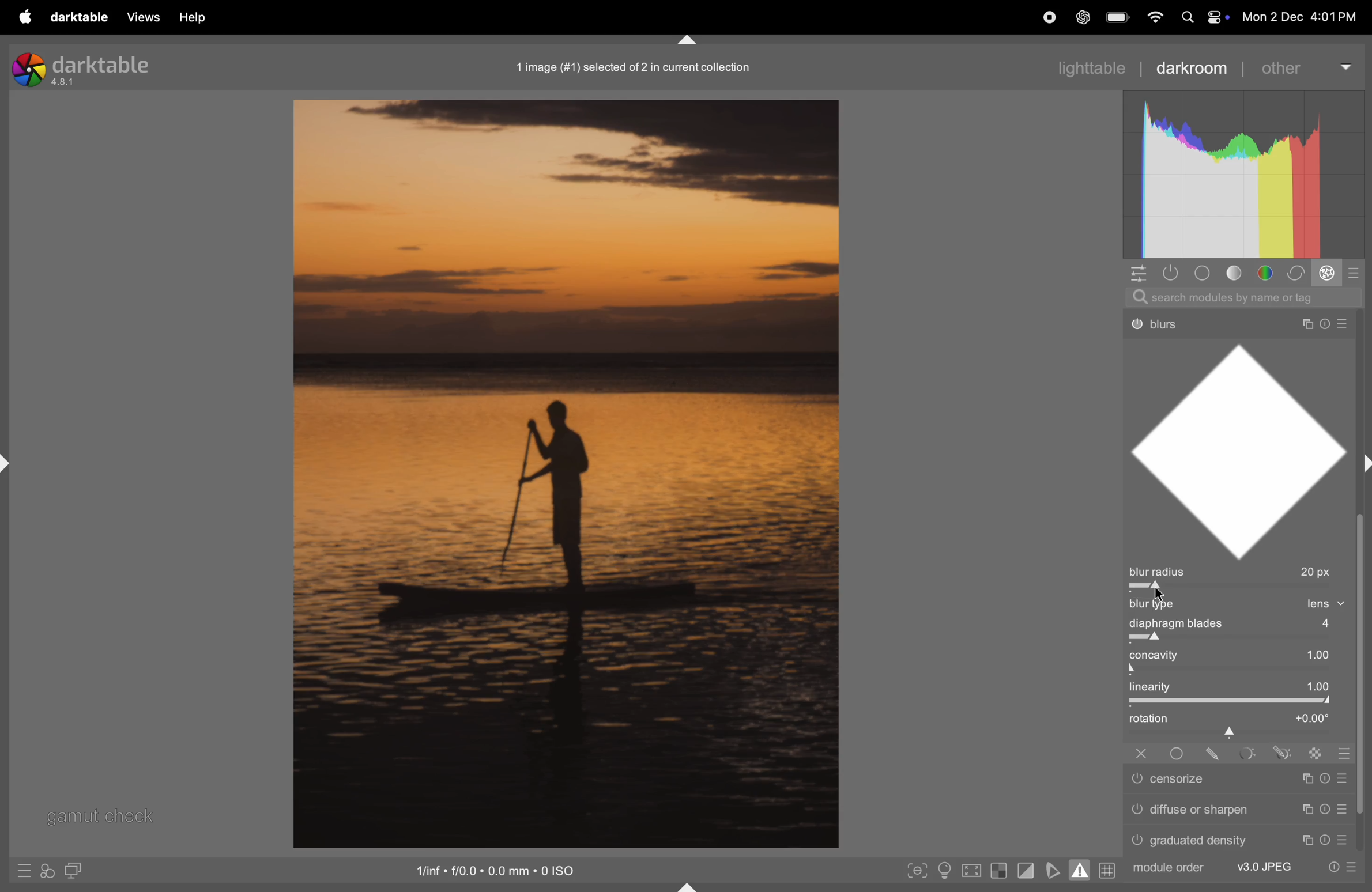 This screenshot has height=892, width=1372. I want to click on image, so click(562, 474).